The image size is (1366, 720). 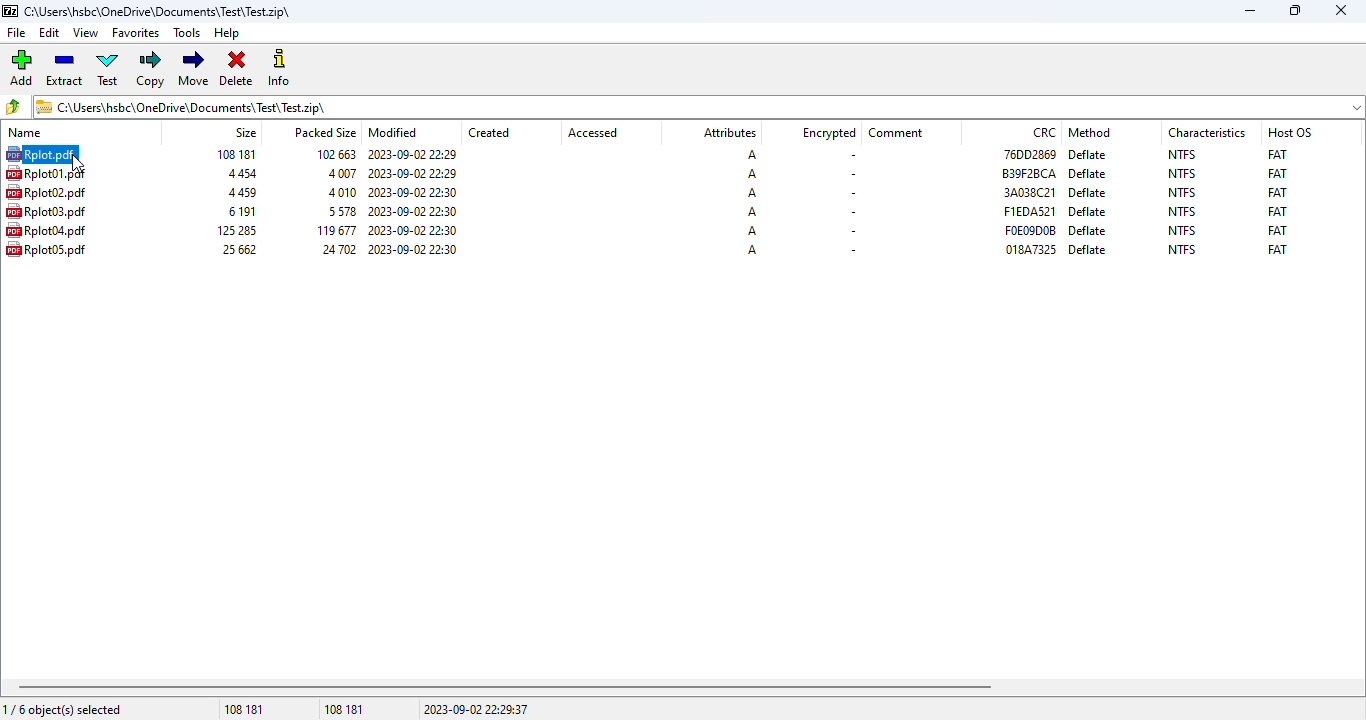 I want to click on horizontal scroll bar, so click(x=505, y=687).